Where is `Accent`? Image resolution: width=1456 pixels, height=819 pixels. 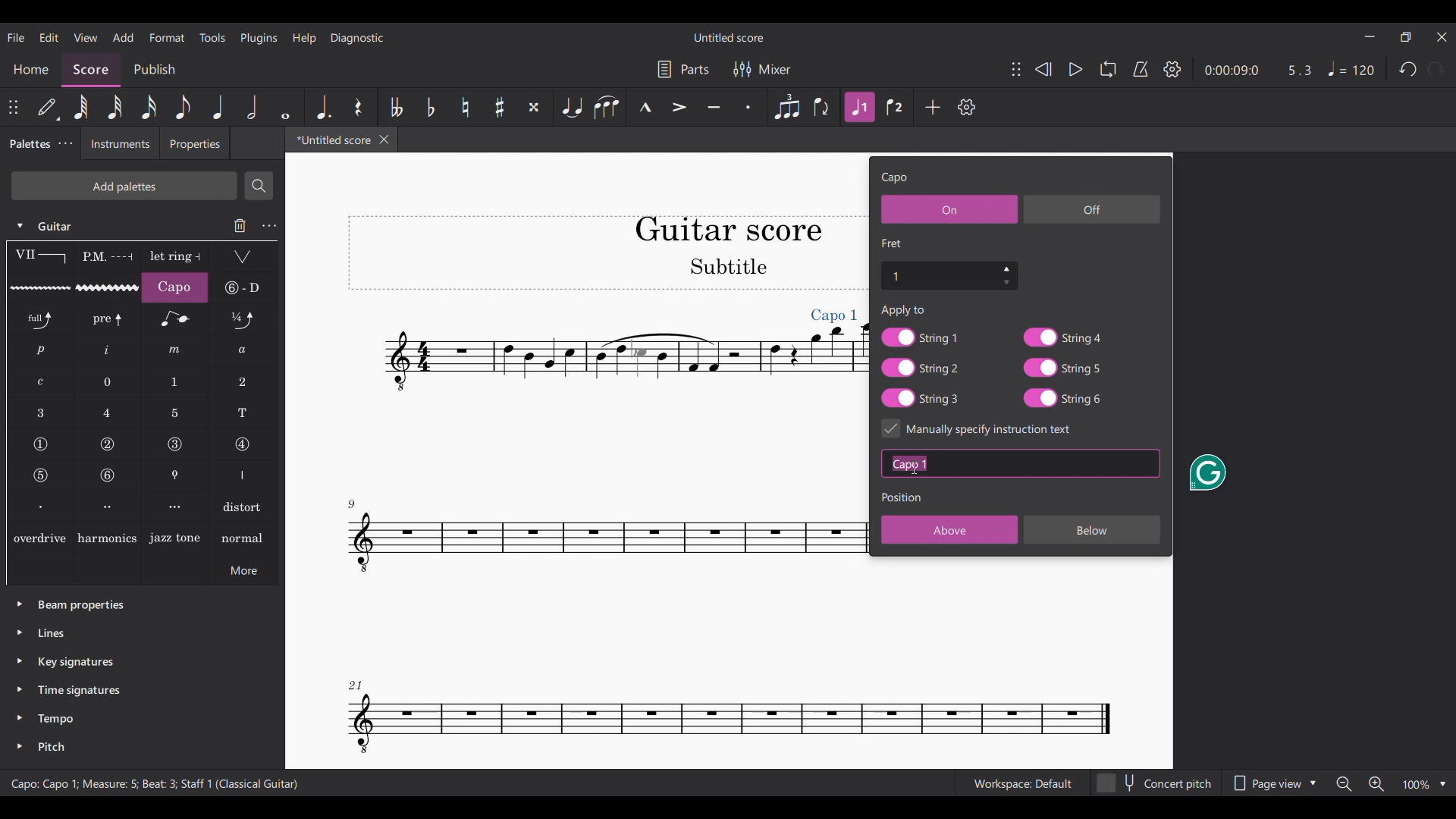
Accent is located at coordinates (679, 107).